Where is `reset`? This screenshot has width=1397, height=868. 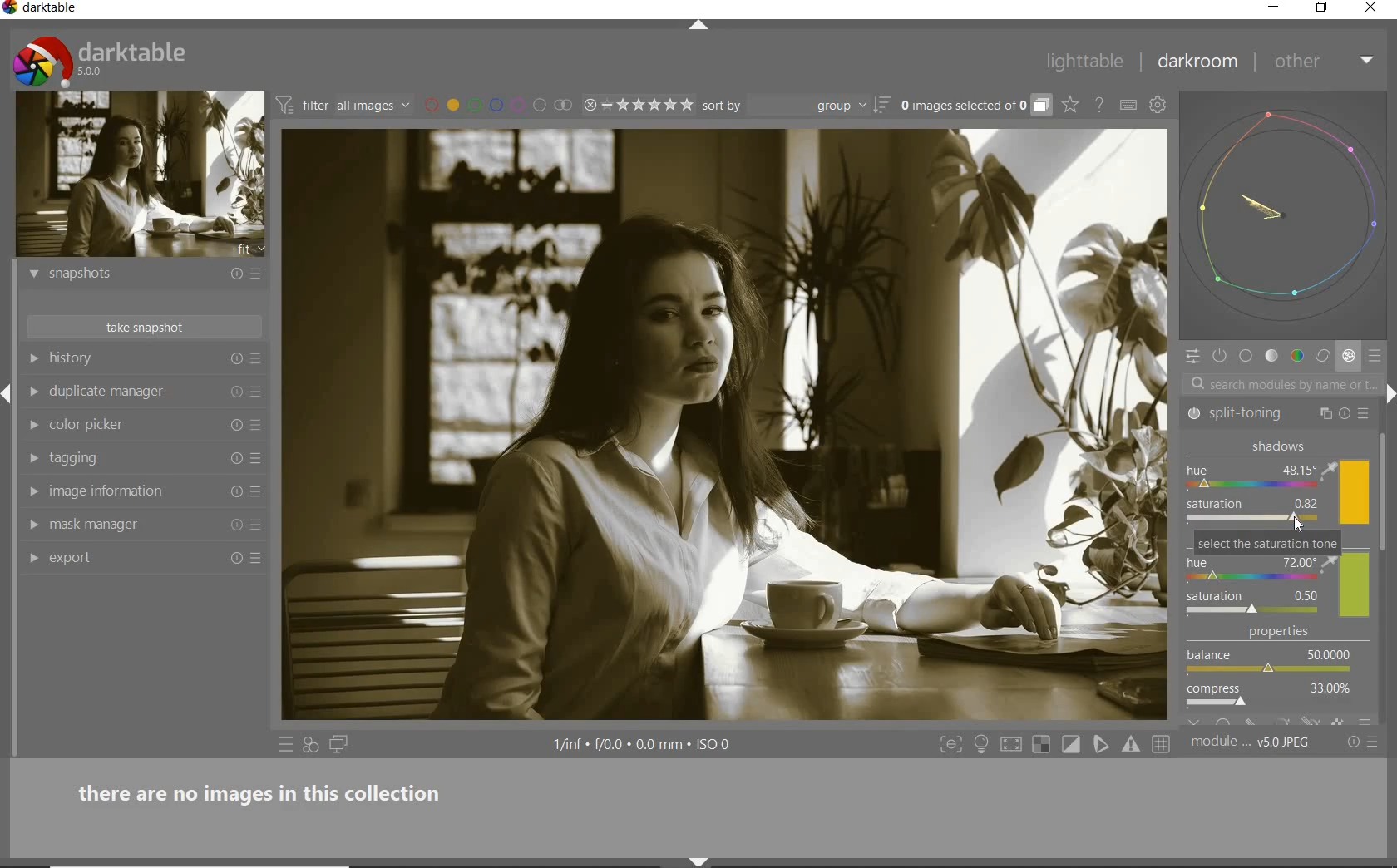
reset is located at coordinates (235, 392).